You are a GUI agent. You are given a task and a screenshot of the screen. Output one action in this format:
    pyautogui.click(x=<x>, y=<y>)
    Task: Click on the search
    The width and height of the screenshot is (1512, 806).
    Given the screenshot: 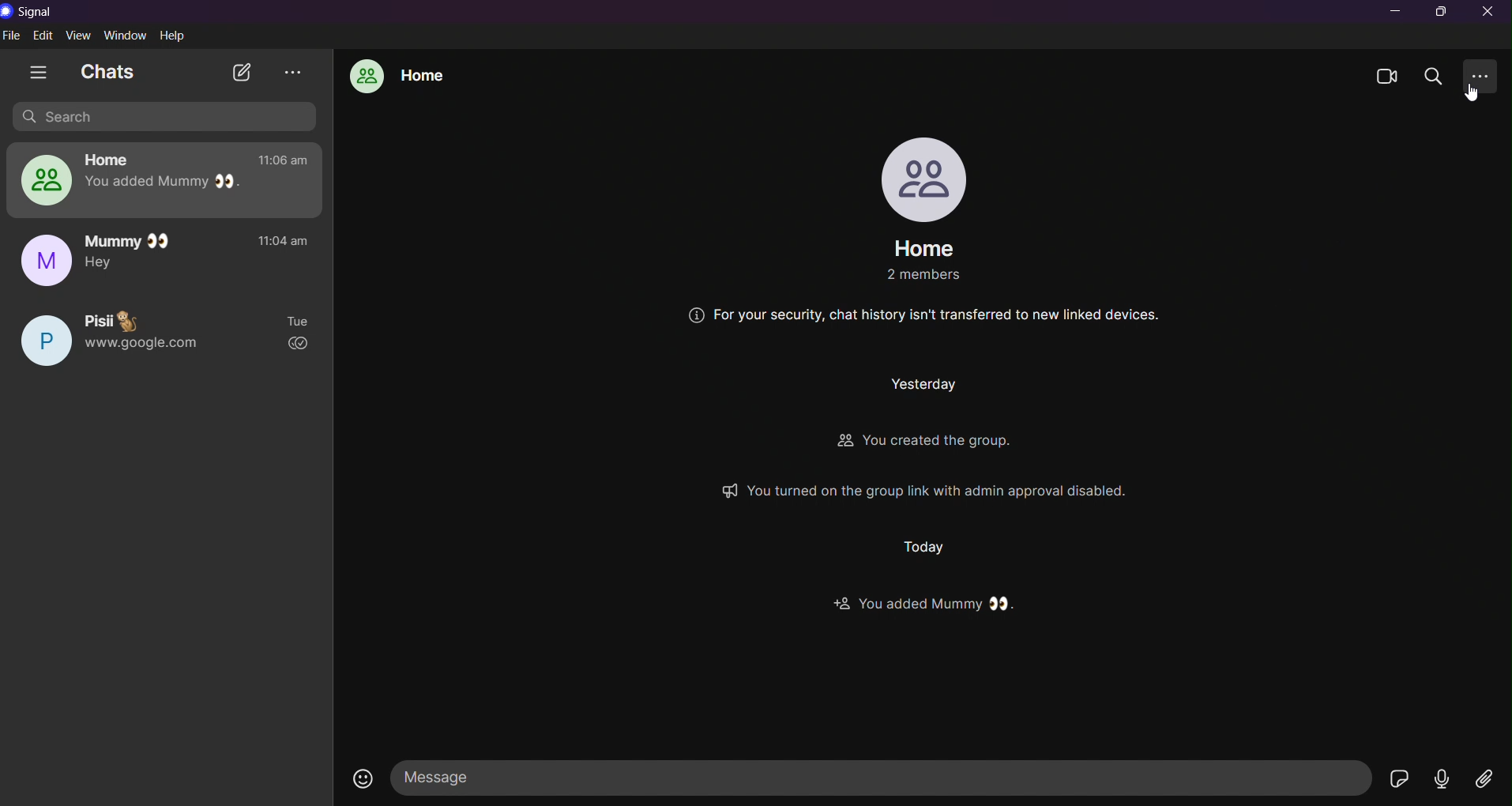 What is the action you would take?
    pyautogui.click(x=167, y=117)
    